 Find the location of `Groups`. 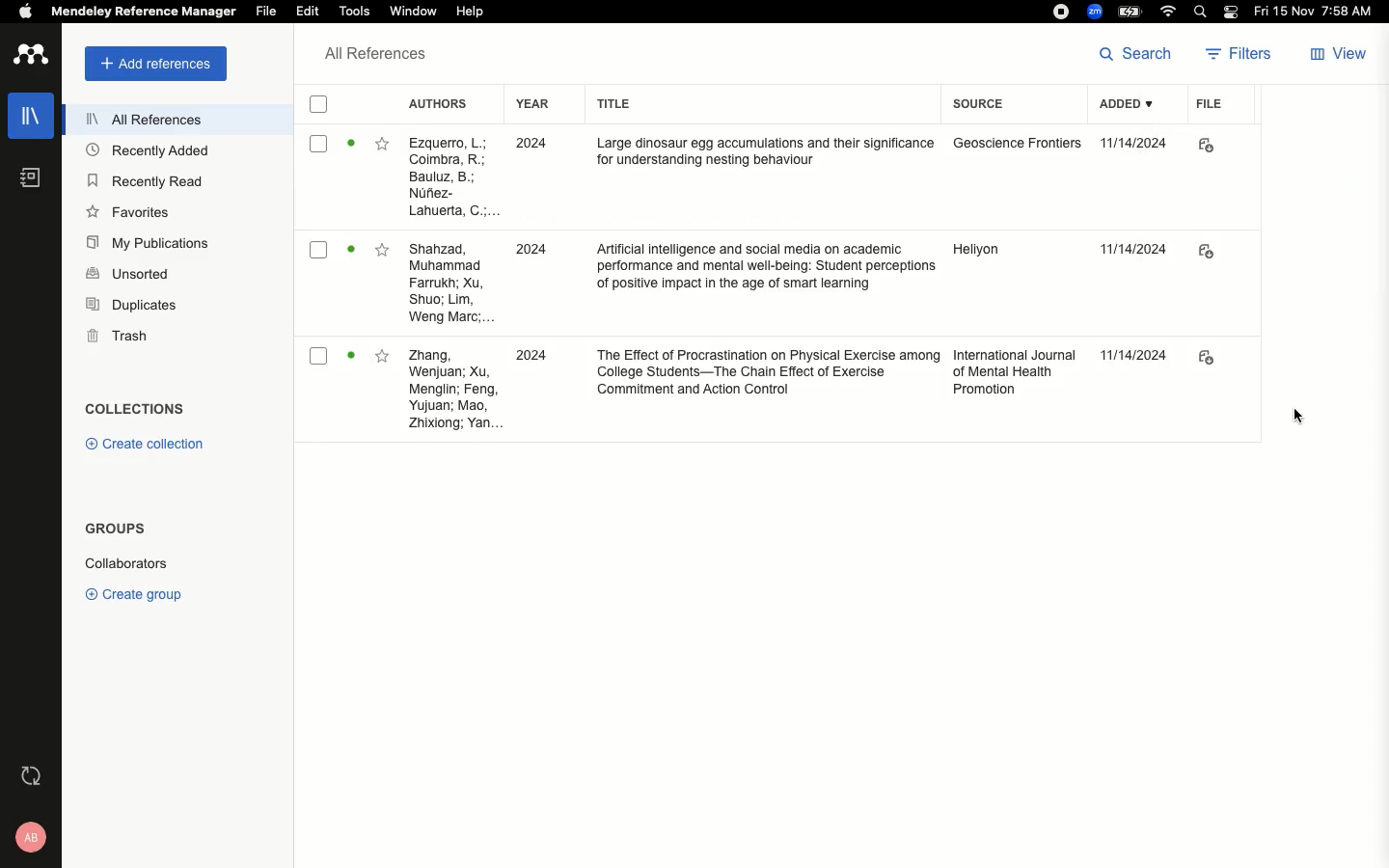

Groups is located at coordinates (112, 532).